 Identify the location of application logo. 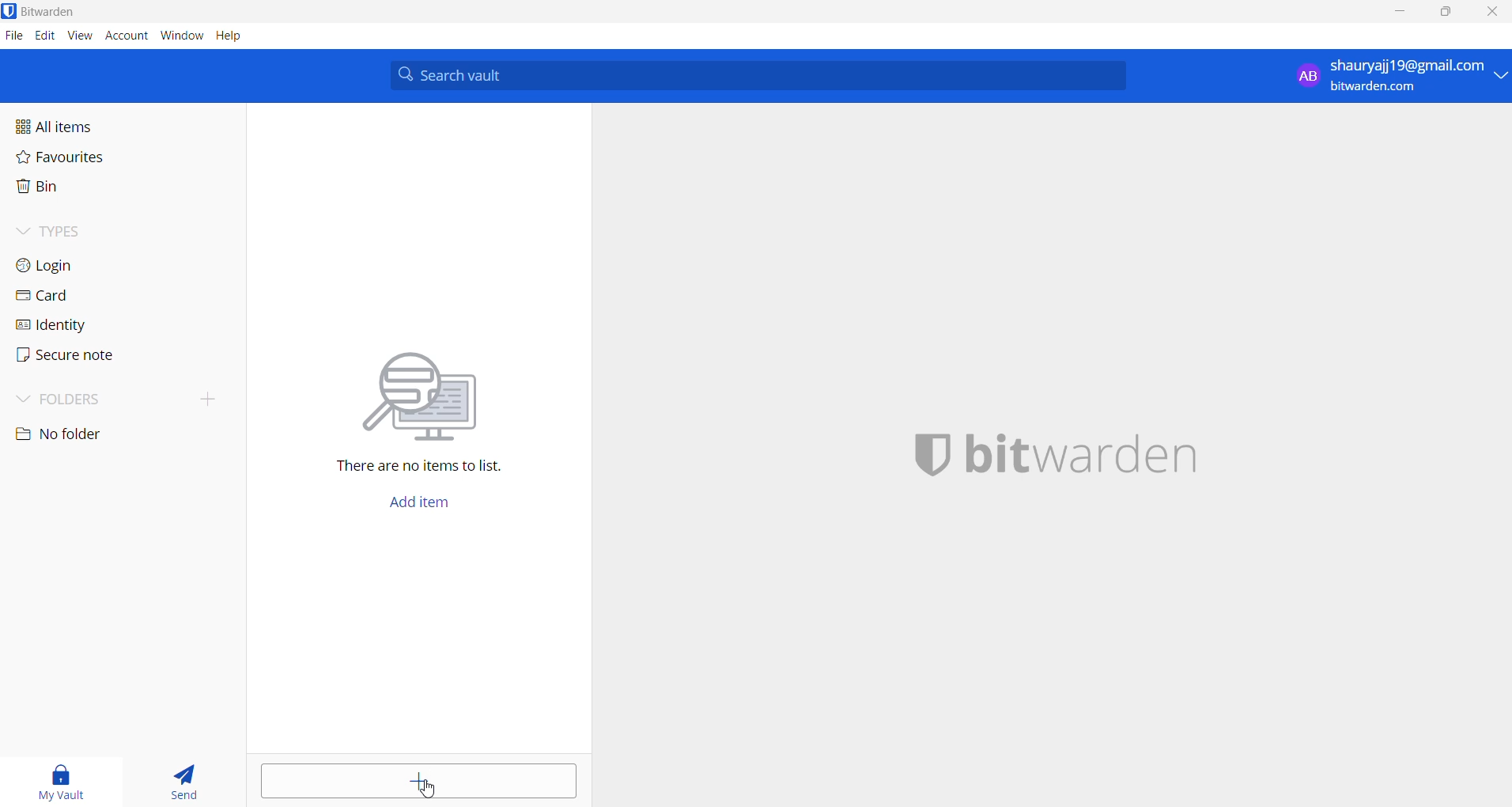
(923, 453).